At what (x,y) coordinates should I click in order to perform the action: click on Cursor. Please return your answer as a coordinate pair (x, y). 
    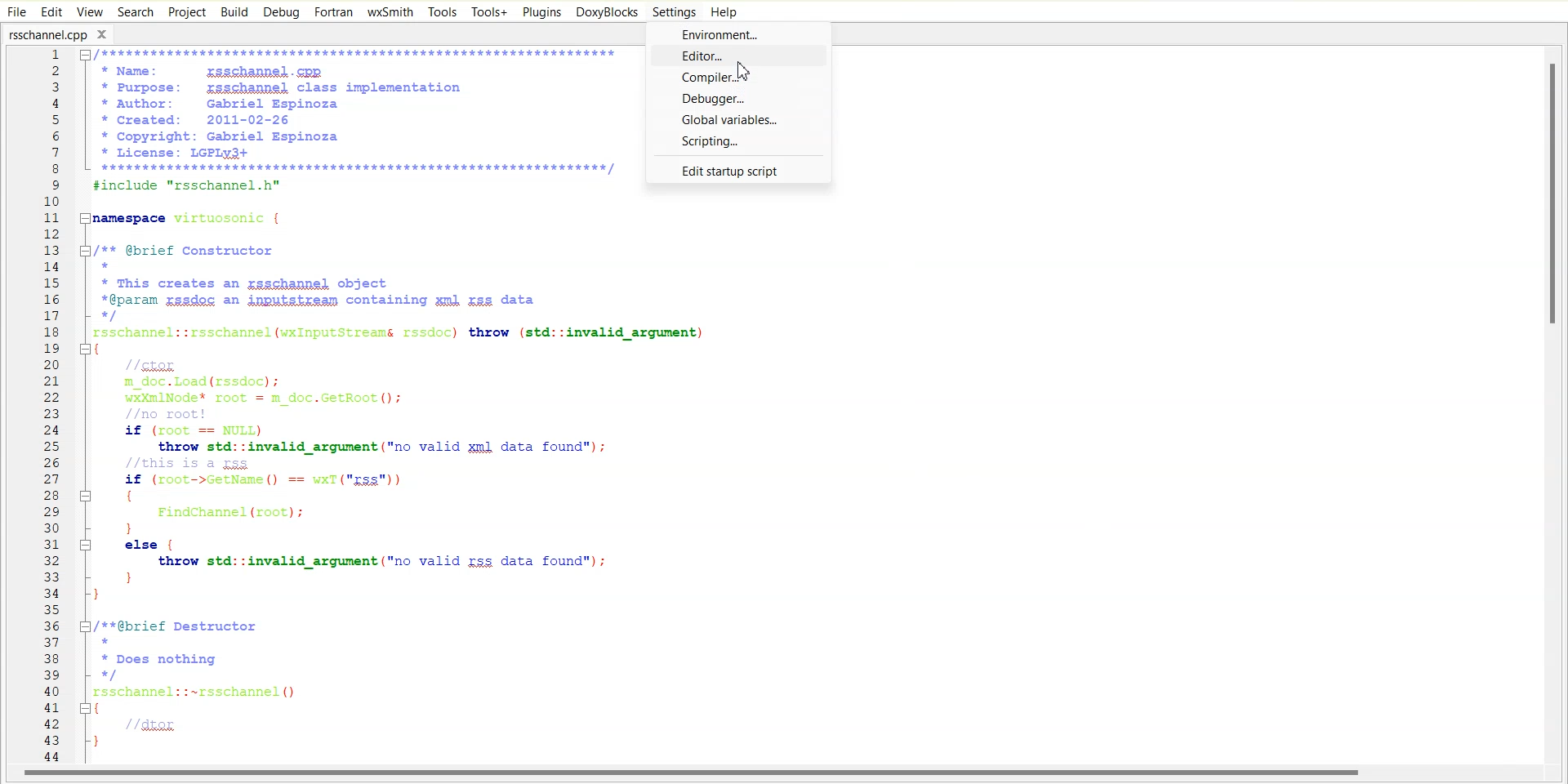
    Looking at the image, I should click on (750, 70).